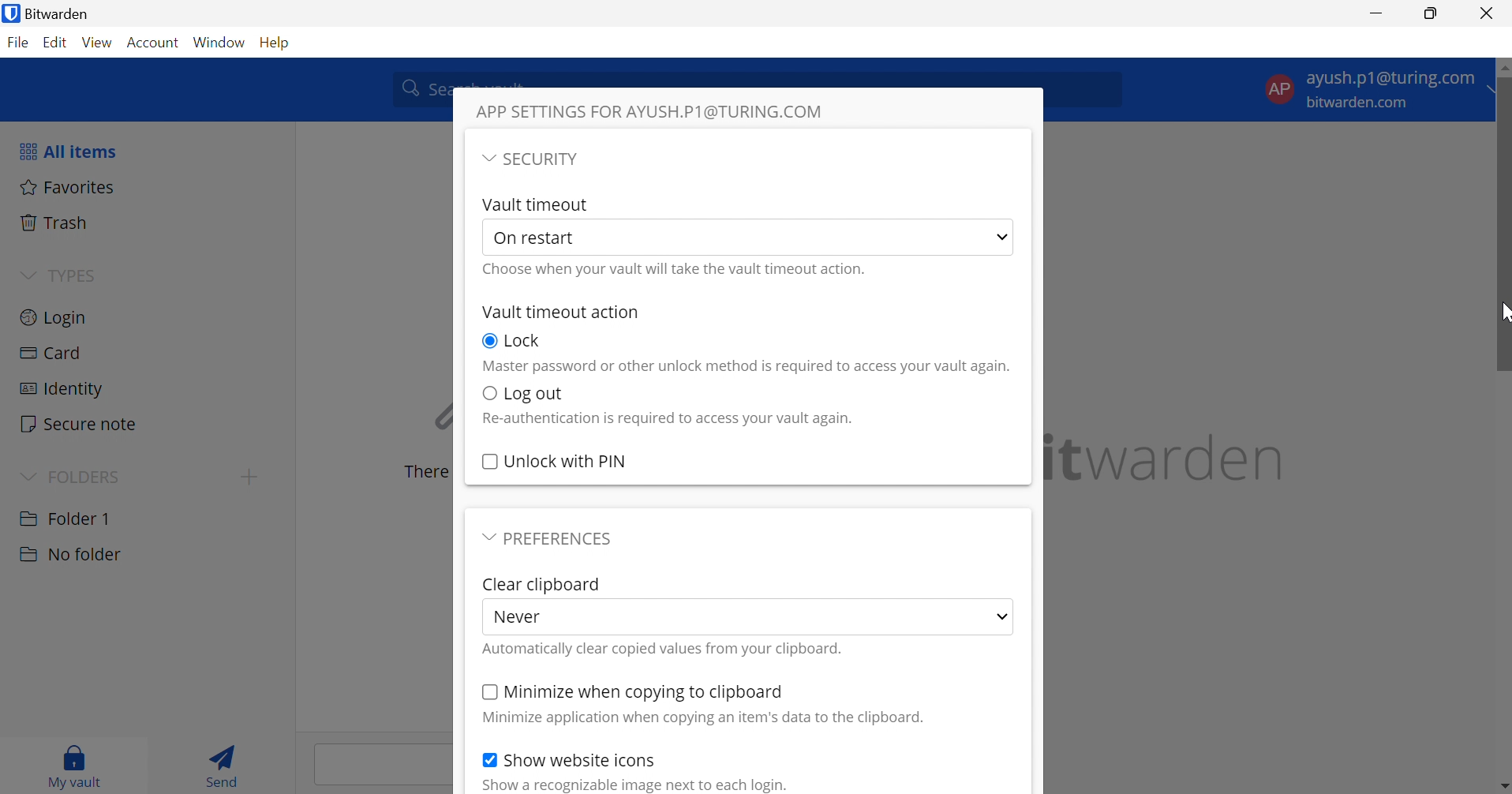 Image resolution: width=1512 pixels, height=794 pixels. I want to click on Close, so click(1489, 13).